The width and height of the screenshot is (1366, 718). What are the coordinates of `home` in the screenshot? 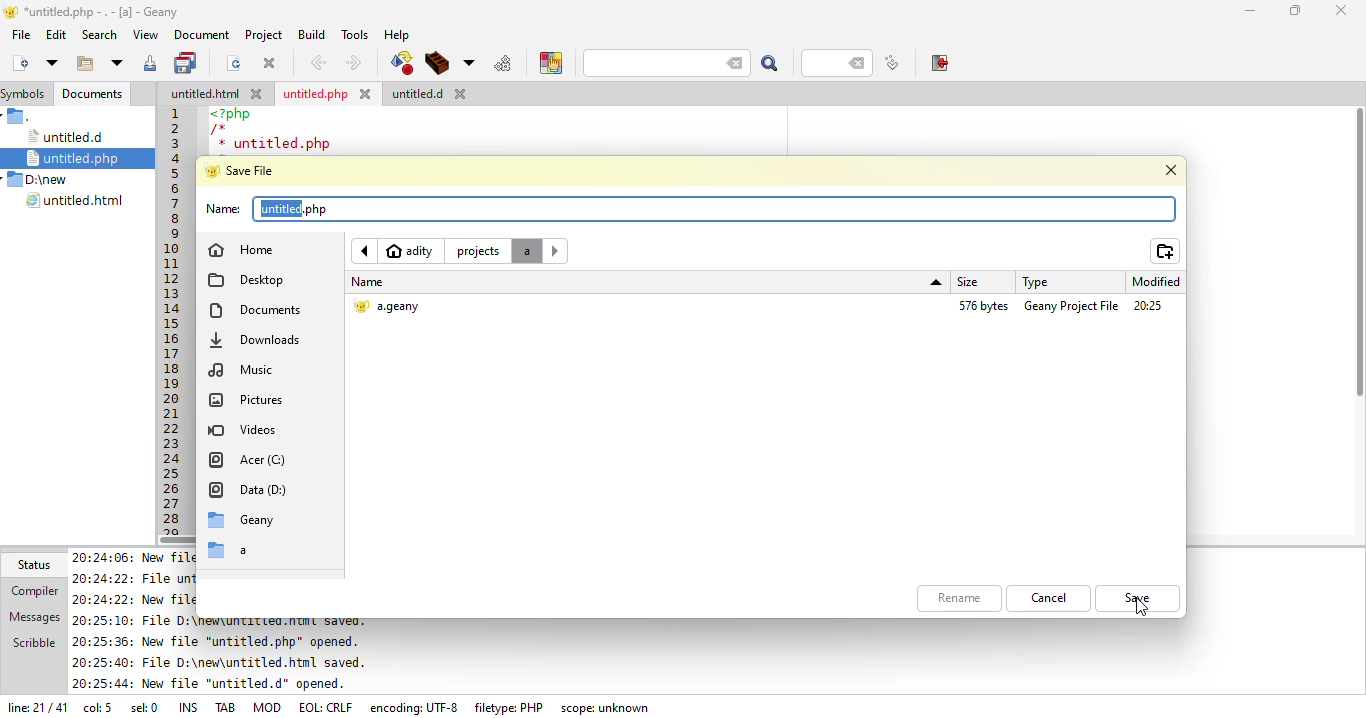 It's located at (412, 251).